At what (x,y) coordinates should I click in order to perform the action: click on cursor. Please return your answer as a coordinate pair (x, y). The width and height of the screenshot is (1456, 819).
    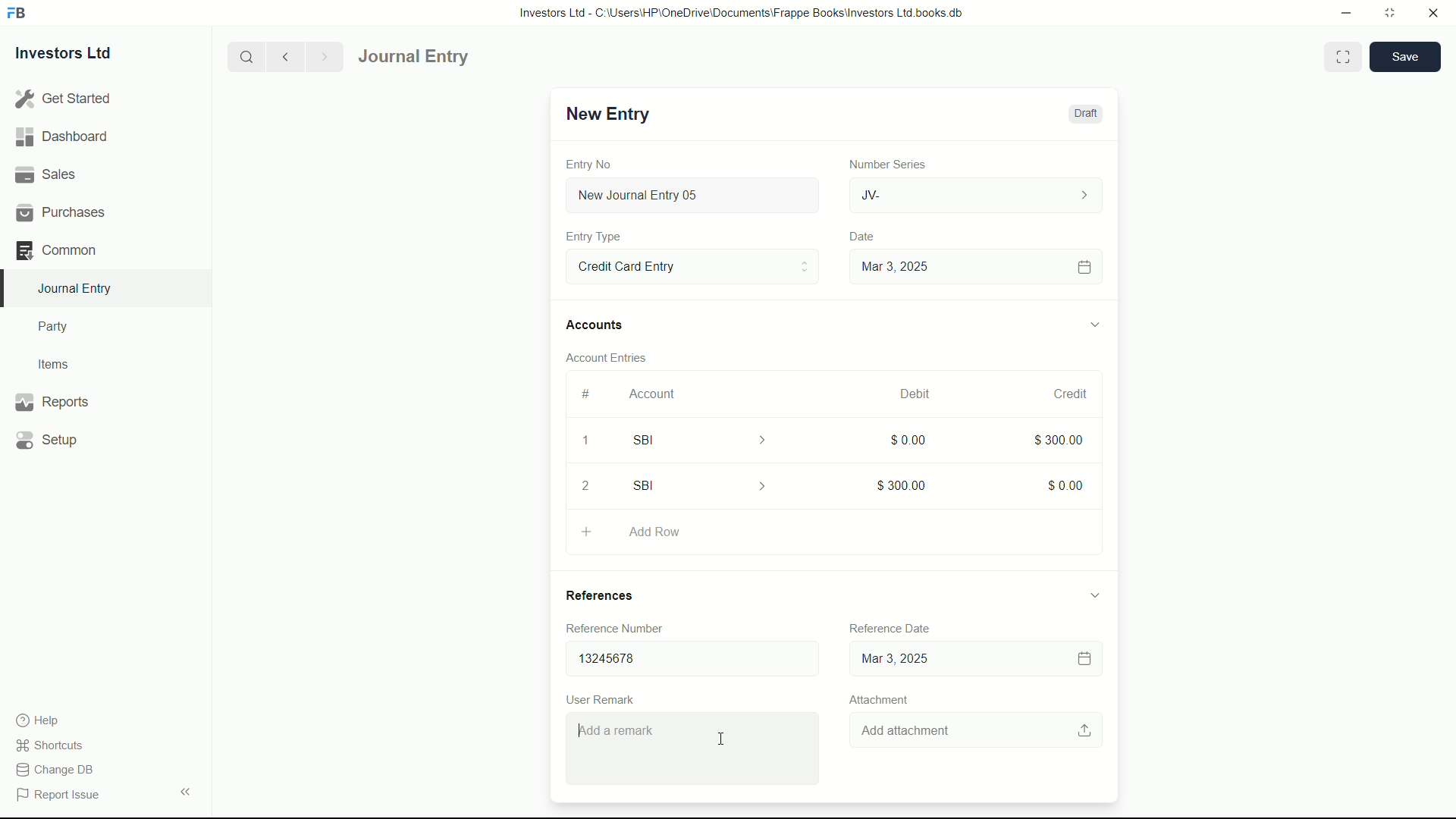
    Looking at the image, I should click on (720, 740).